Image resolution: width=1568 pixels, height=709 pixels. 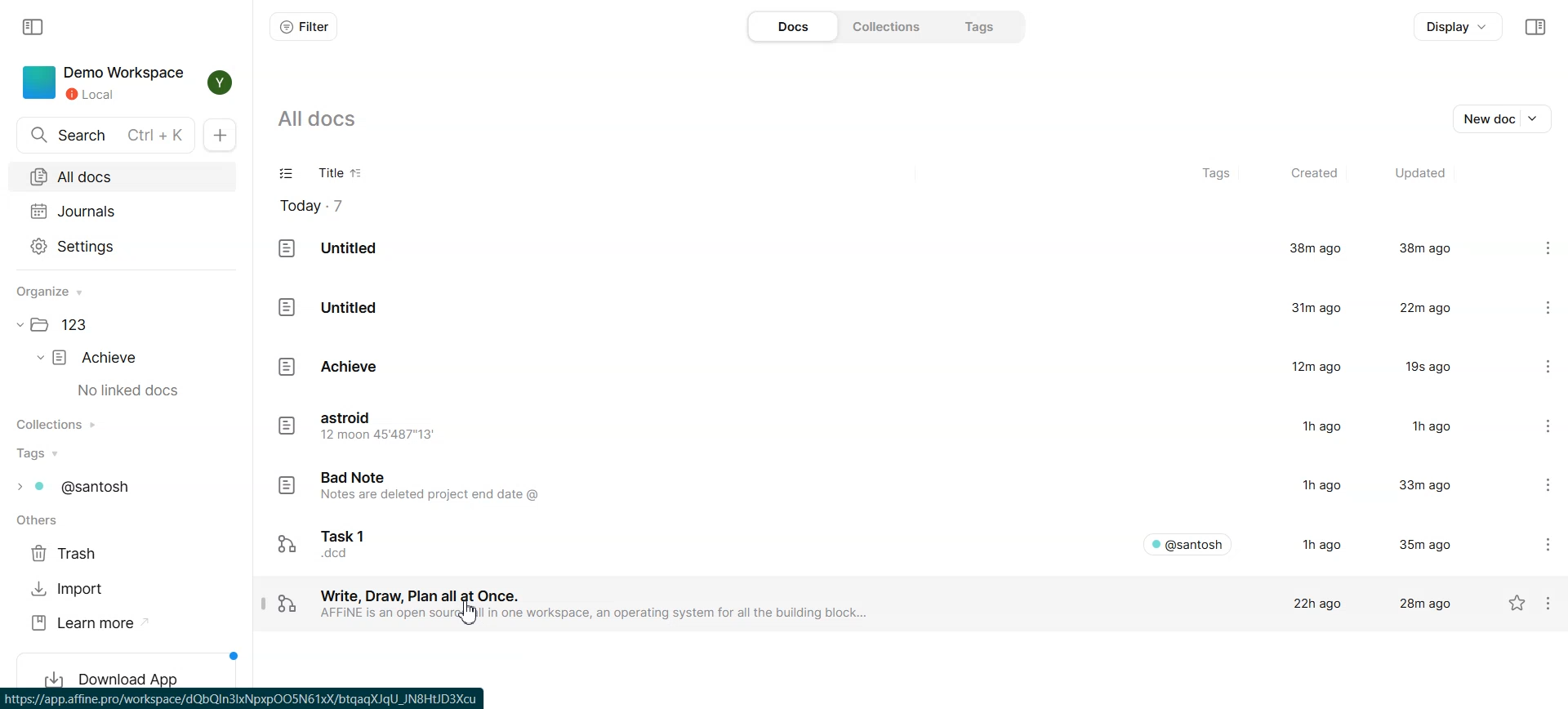 What do you see at coordinates (358, 174) in the screenshot?
I see `Sort` at bounding box center [358, 174].